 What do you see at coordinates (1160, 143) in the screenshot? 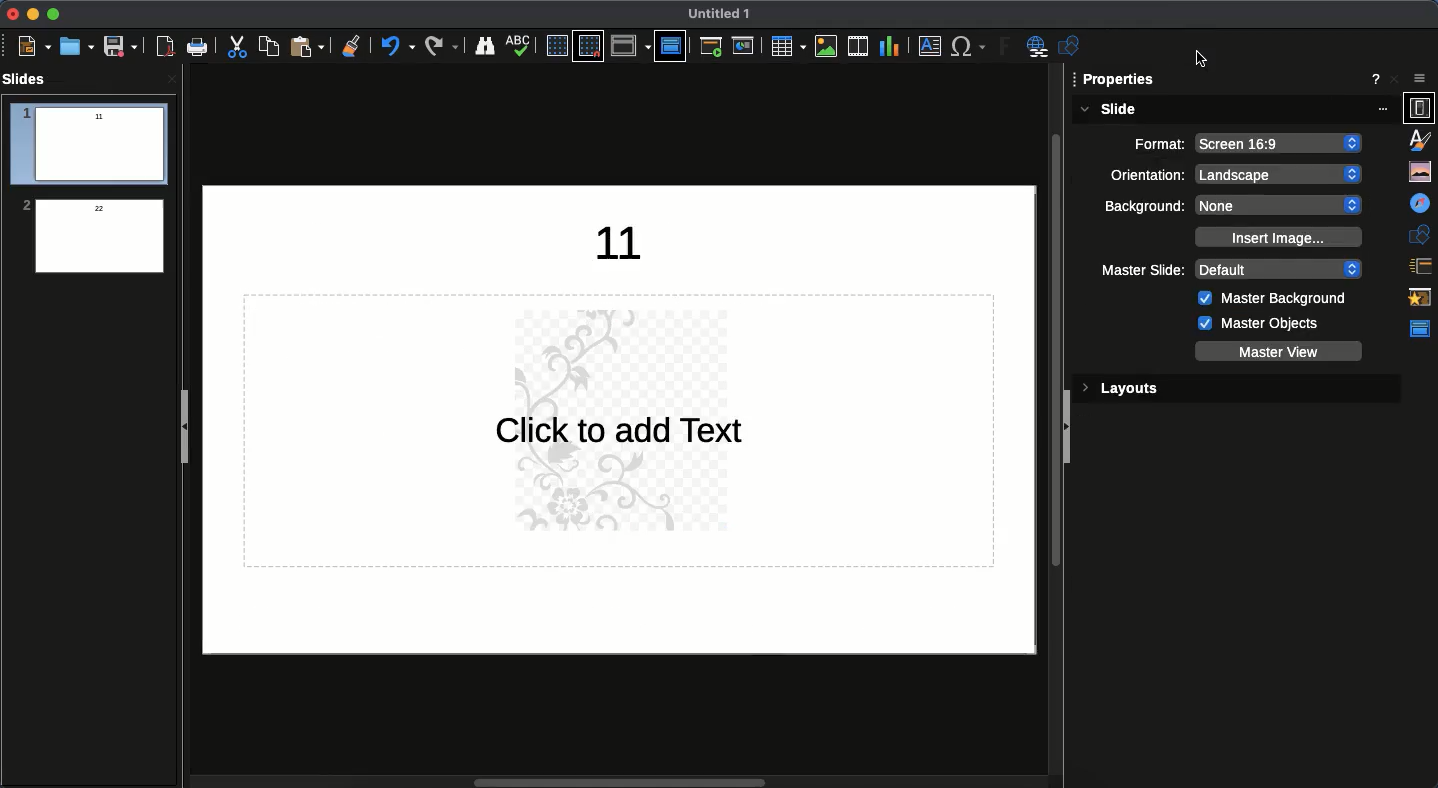
I see `Format` at bounding box center [1160, 143].